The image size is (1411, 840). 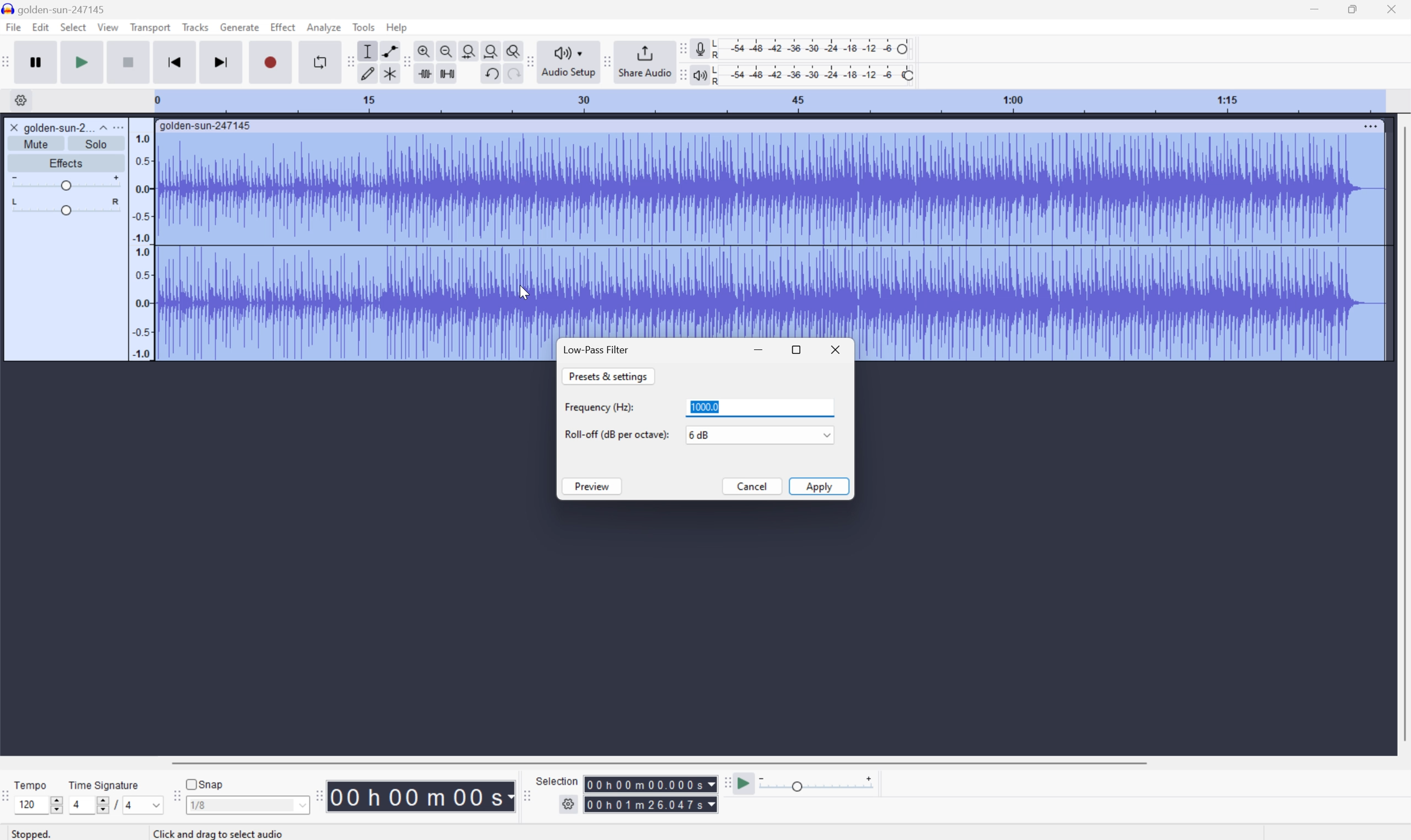 I want to click on Playback meter, so click(x=700, y=76).